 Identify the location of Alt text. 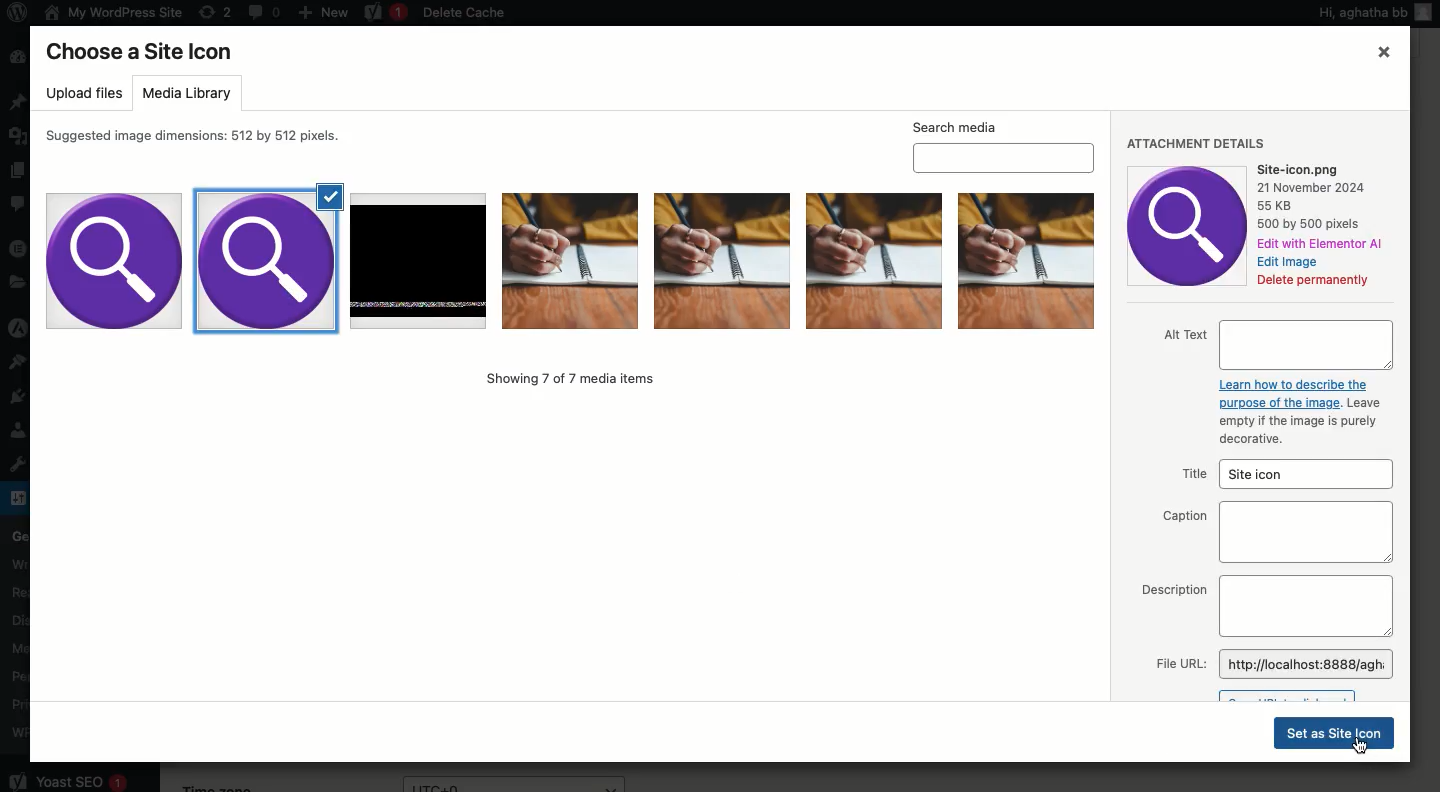
(1275, 344).